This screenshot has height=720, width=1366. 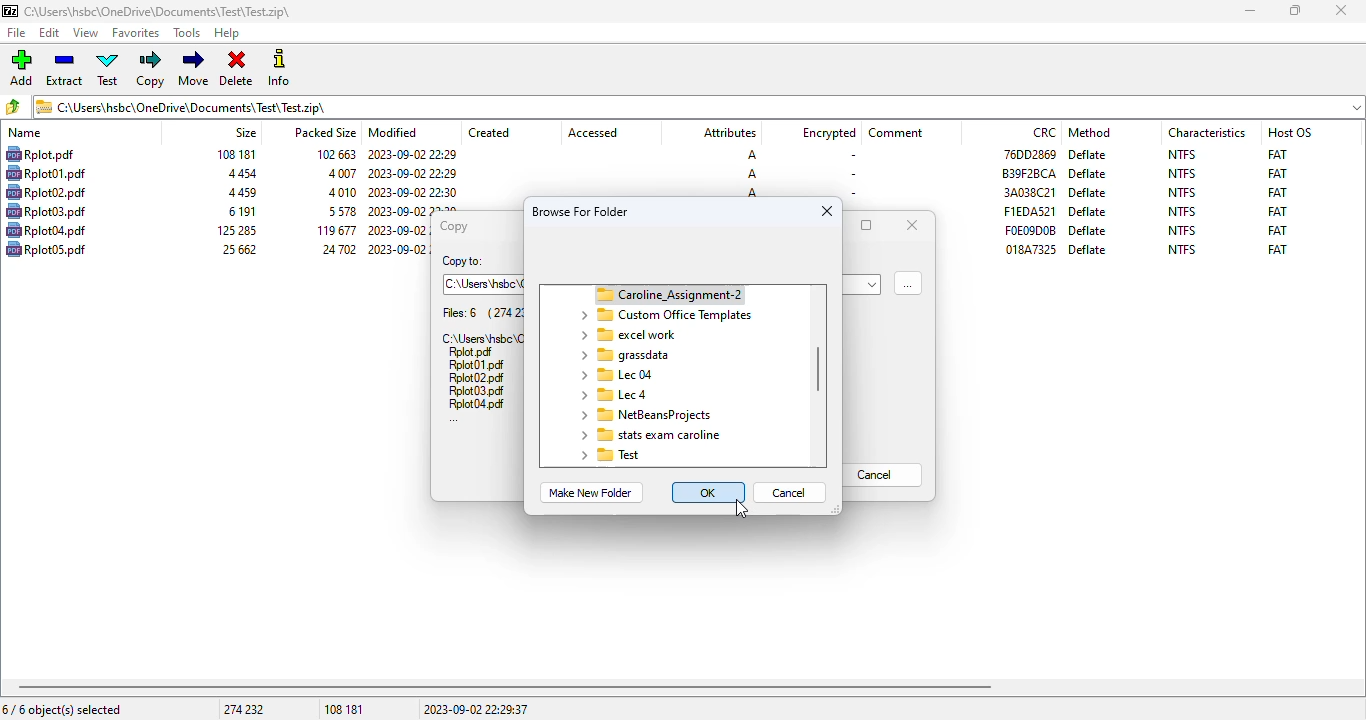 What do you see at coordinates (333, 230) in the screenshot?
I see `packed size` at bounding box center [333, 230].